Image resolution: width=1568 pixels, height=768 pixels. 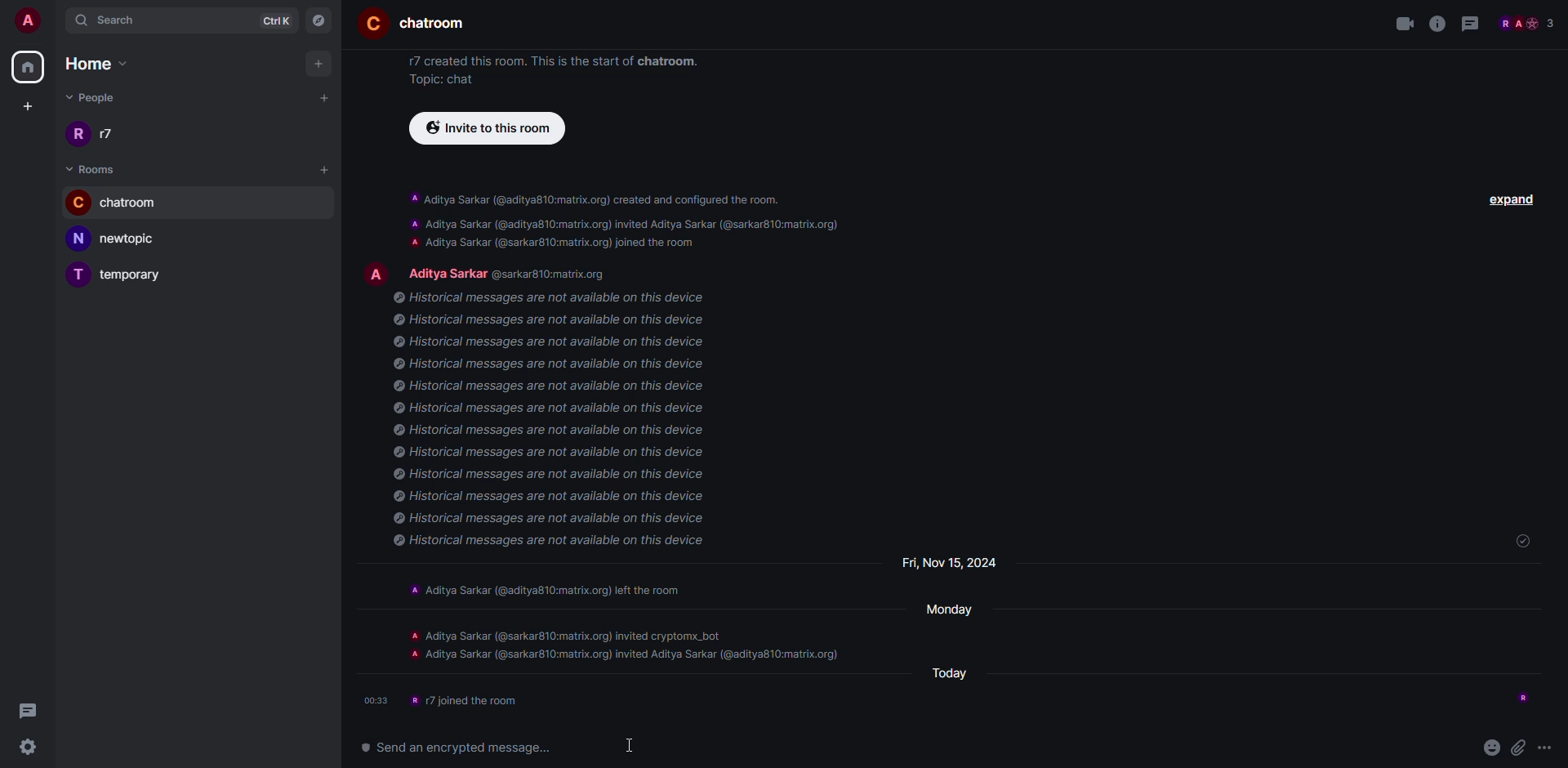 I want to click on search, so click(x=109, y=19).